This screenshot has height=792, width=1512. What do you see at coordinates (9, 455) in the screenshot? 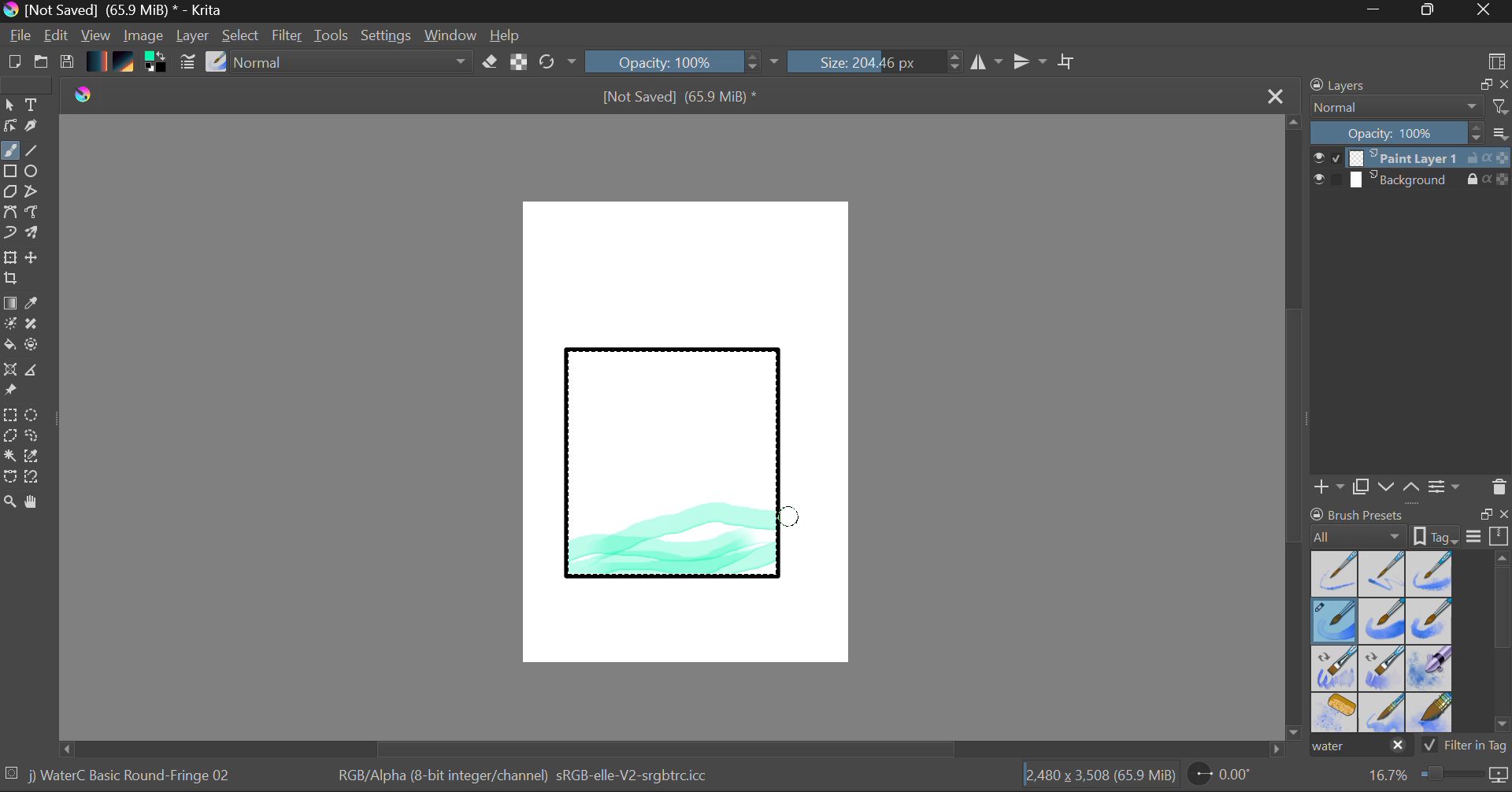
I see `Continuous Selection` at bounding box center [9, 455].